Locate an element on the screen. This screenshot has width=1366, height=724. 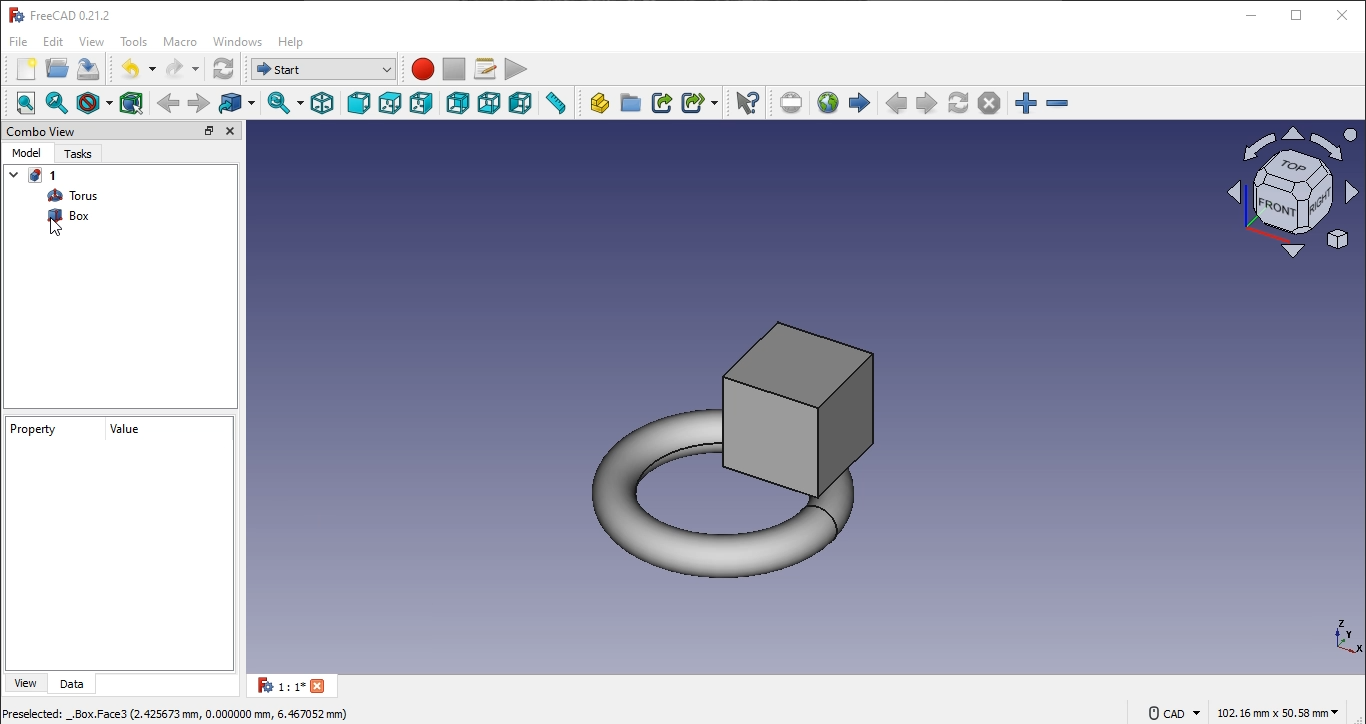
Dreselected: .Box.Face3 (2.425673 mm, 0.000000 mm, 6.467052 mm) is located at coordinates (185, 712).